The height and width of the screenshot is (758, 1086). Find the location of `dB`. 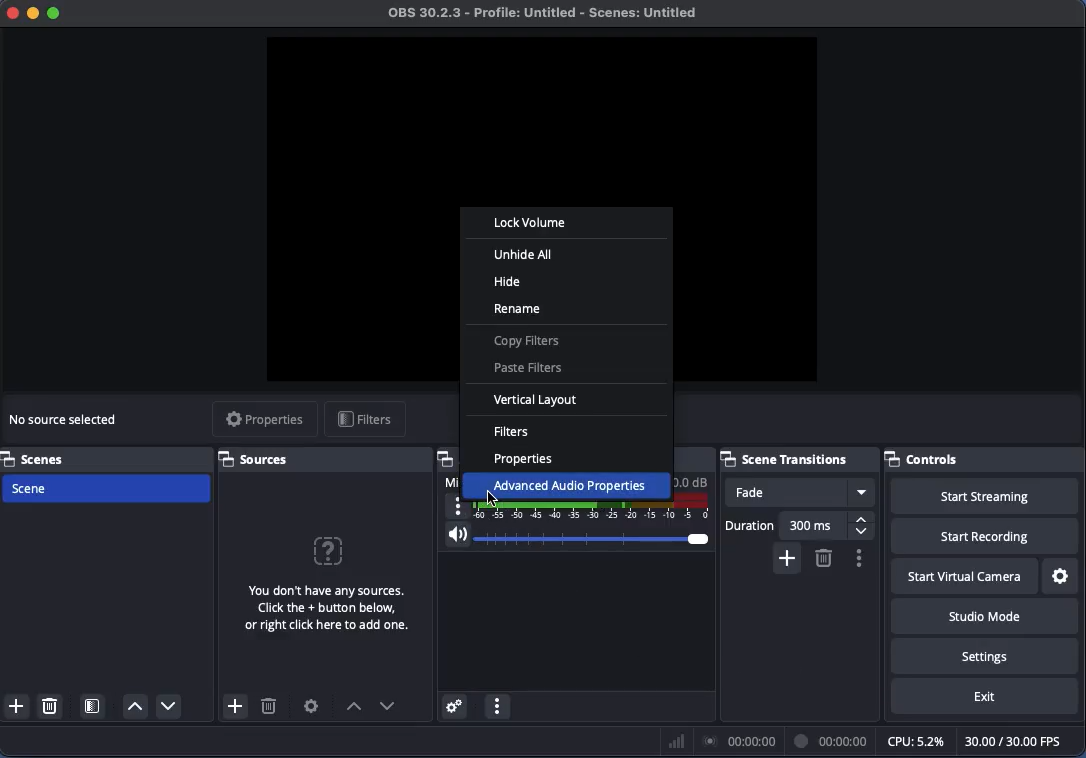

dB is located at coordinates (692, 481).